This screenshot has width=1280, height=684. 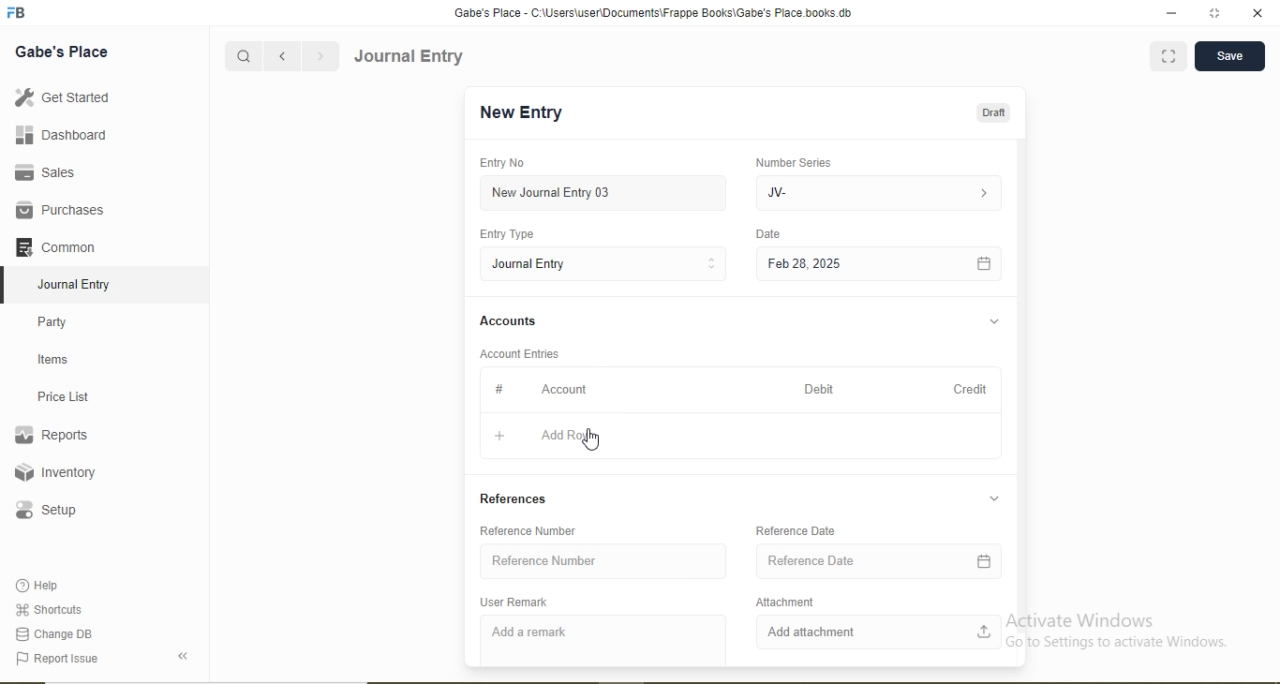 What do you see at coordinates (42, 172) in the screenshot?
I see `Sales` at bounding box center [42, 172].